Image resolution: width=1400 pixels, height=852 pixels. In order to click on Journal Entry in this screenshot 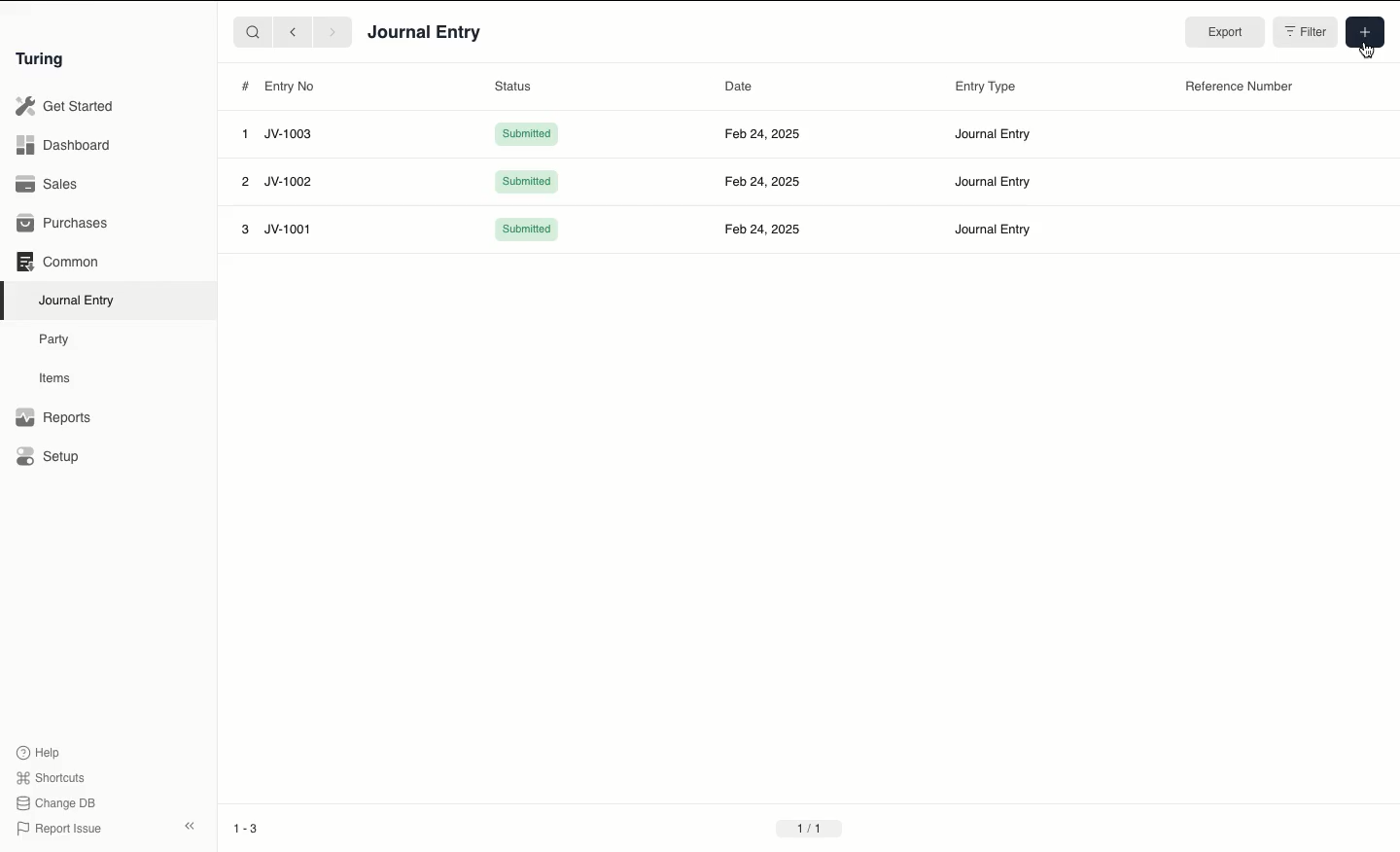, I will do `click(426, 34)`.